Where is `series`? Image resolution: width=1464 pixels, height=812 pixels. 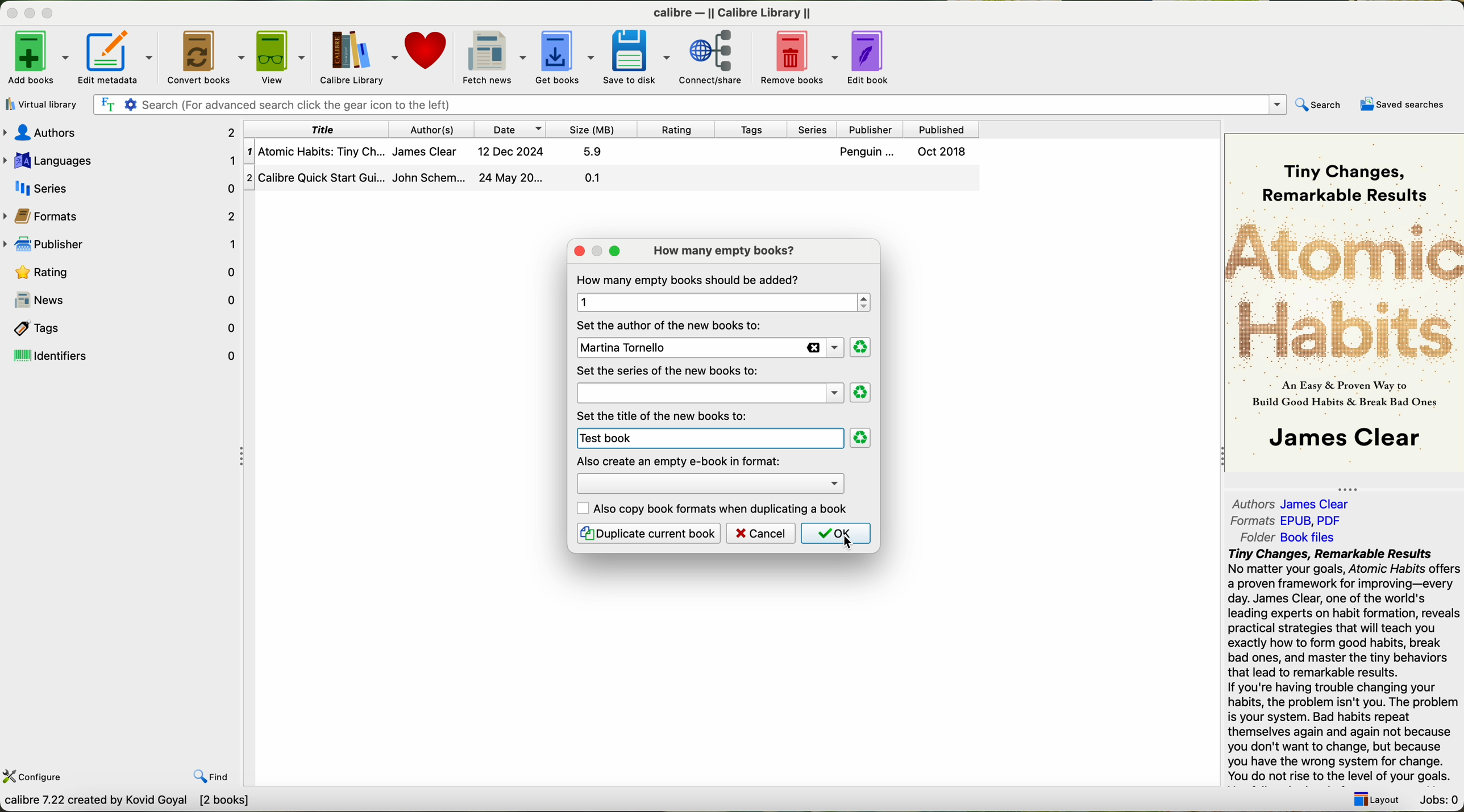
series is located at coordinates (820, 129).